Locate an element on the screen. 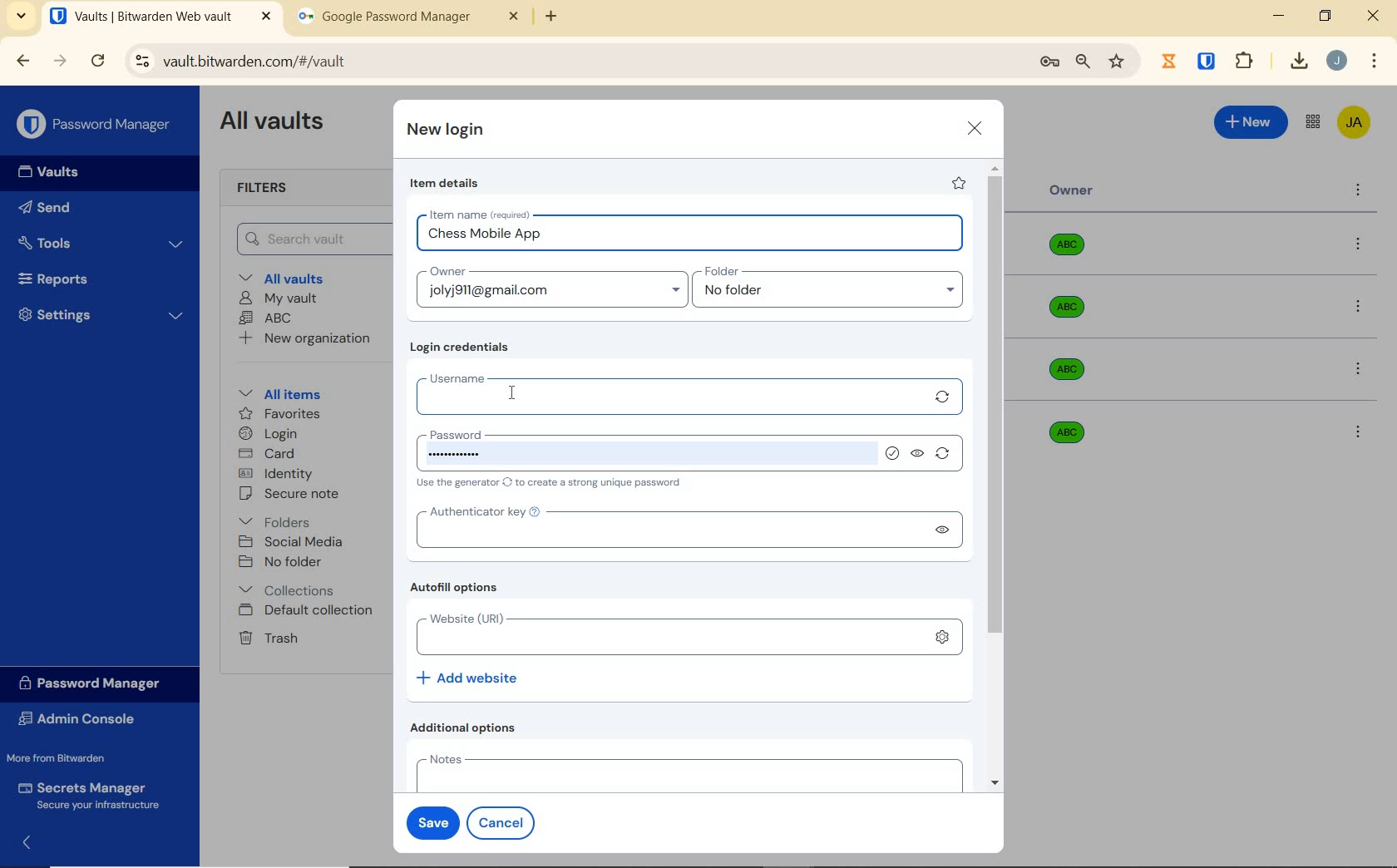 This screenshot has width=1397, height=868. favorites is located at coordinates (281, 416).